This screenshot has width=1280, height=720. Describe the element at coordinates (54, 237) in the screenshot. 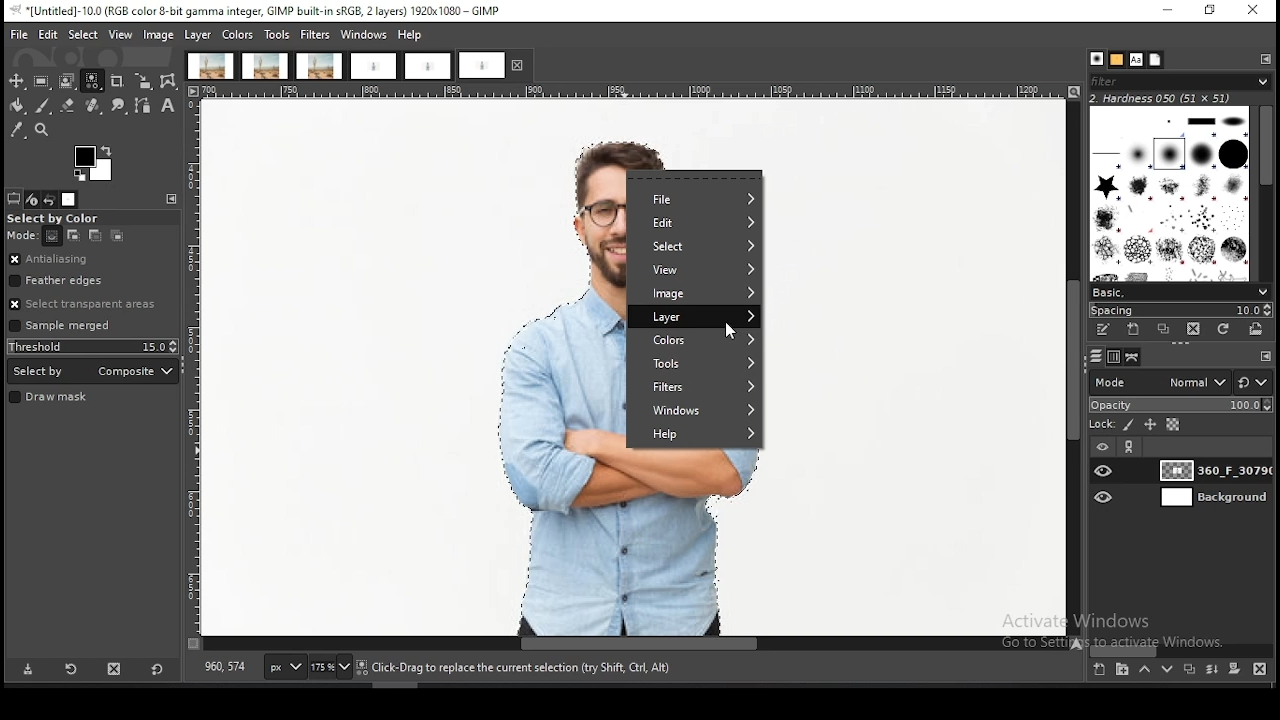

I see `replace the current selection` at that location.